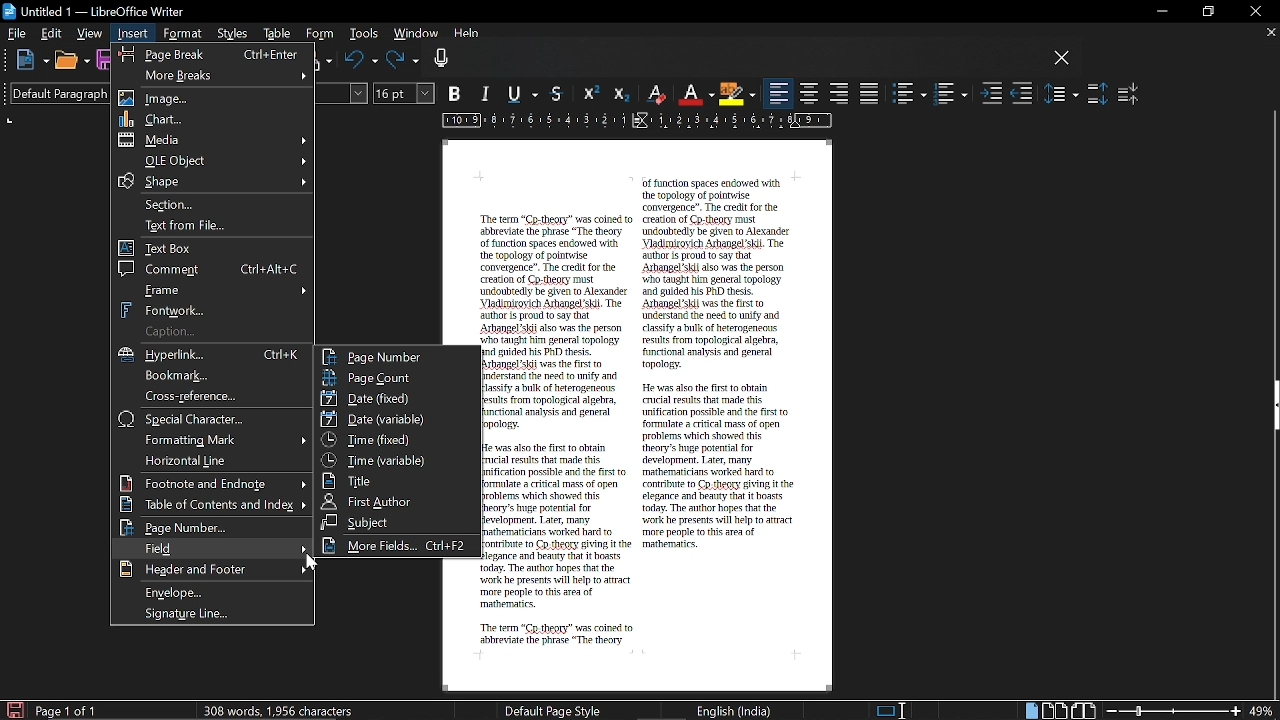 The image size is (1280, 720). Describe the element at coordinates (212, 268) in the screenshot. I see `Comment` at that location.